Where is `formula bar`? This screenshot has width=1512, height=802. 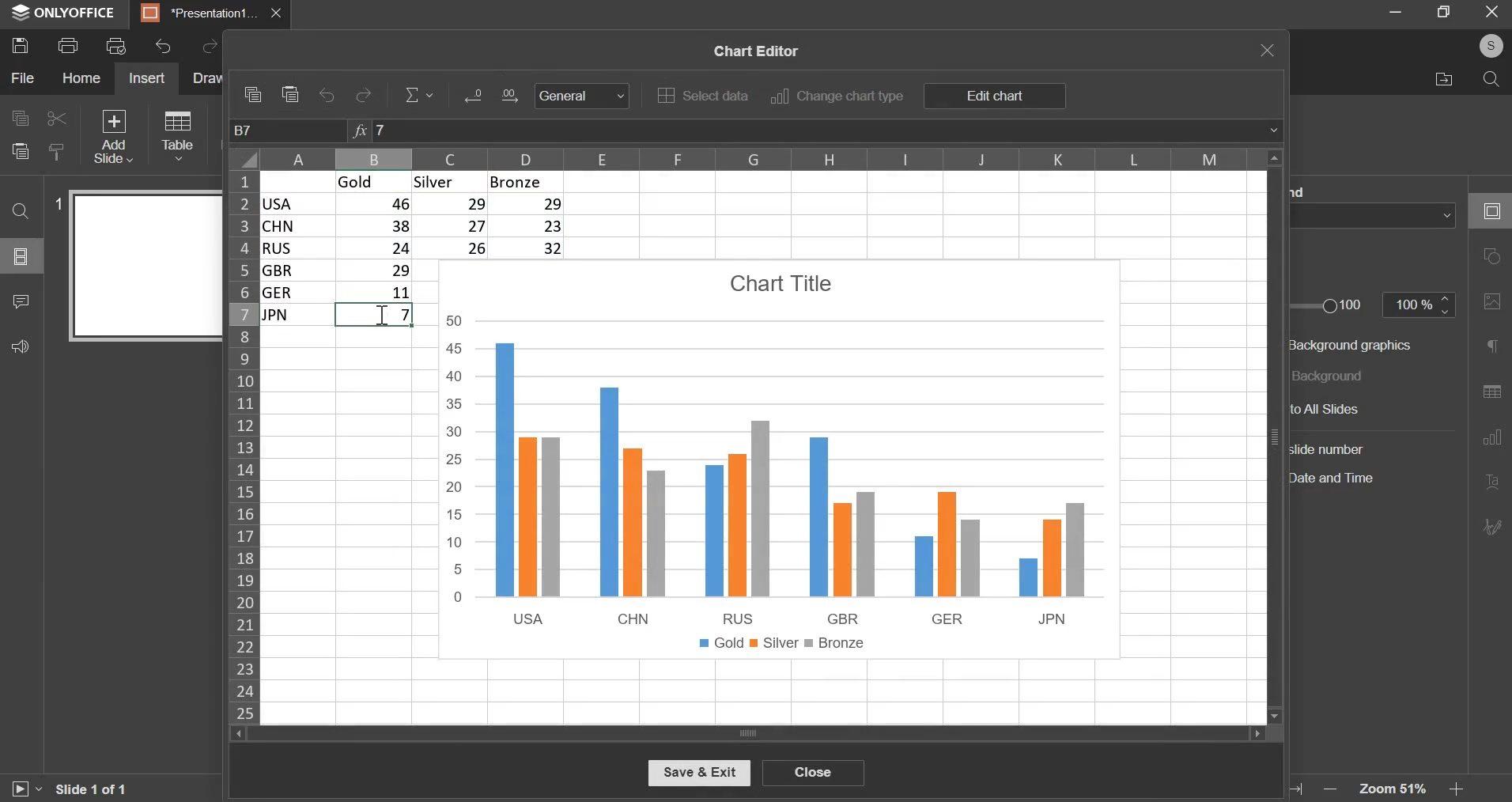
formula bar is located at coordinates (818, 131).